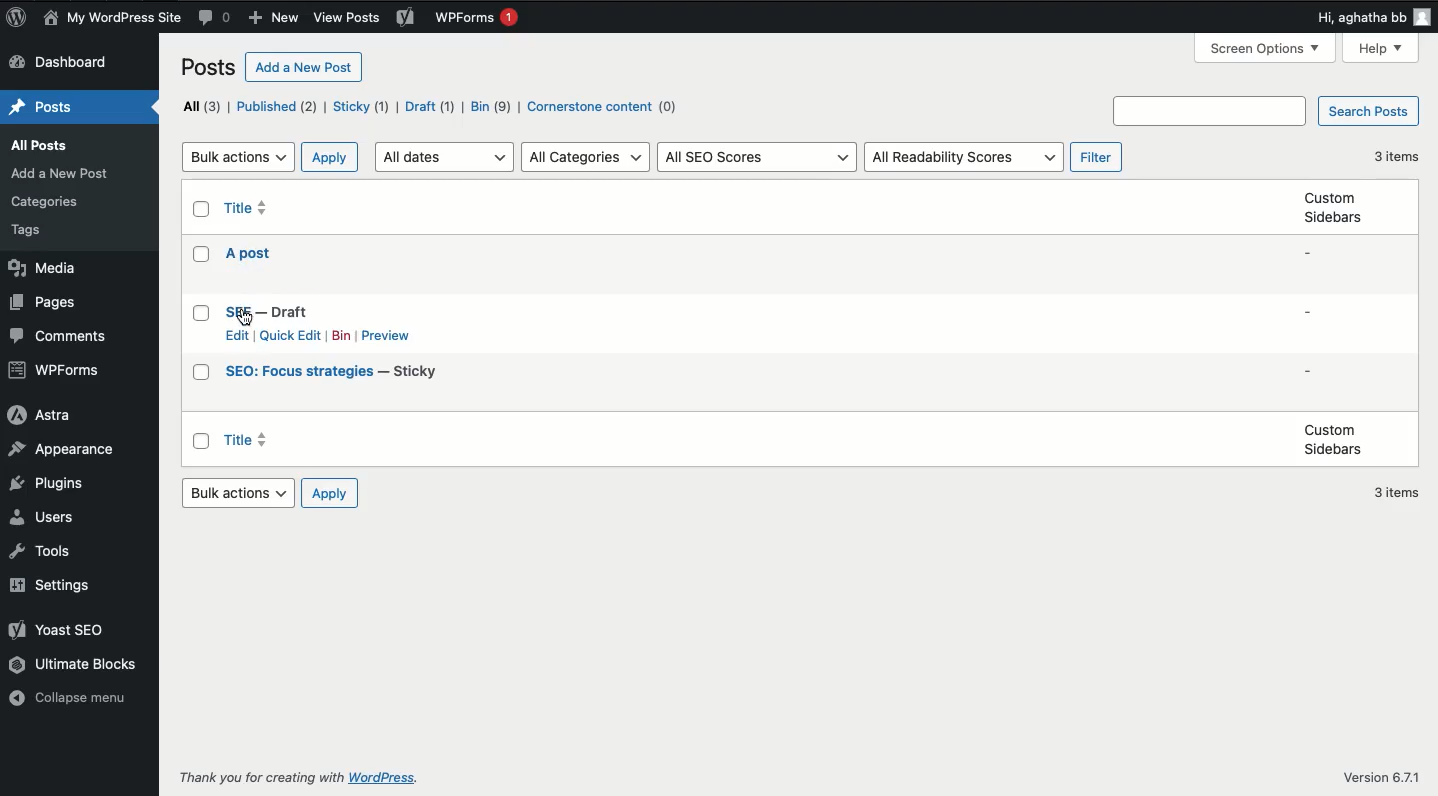  Describe the element at coordinates (35, 230) in the screenshot. I see `Tags` at that location.